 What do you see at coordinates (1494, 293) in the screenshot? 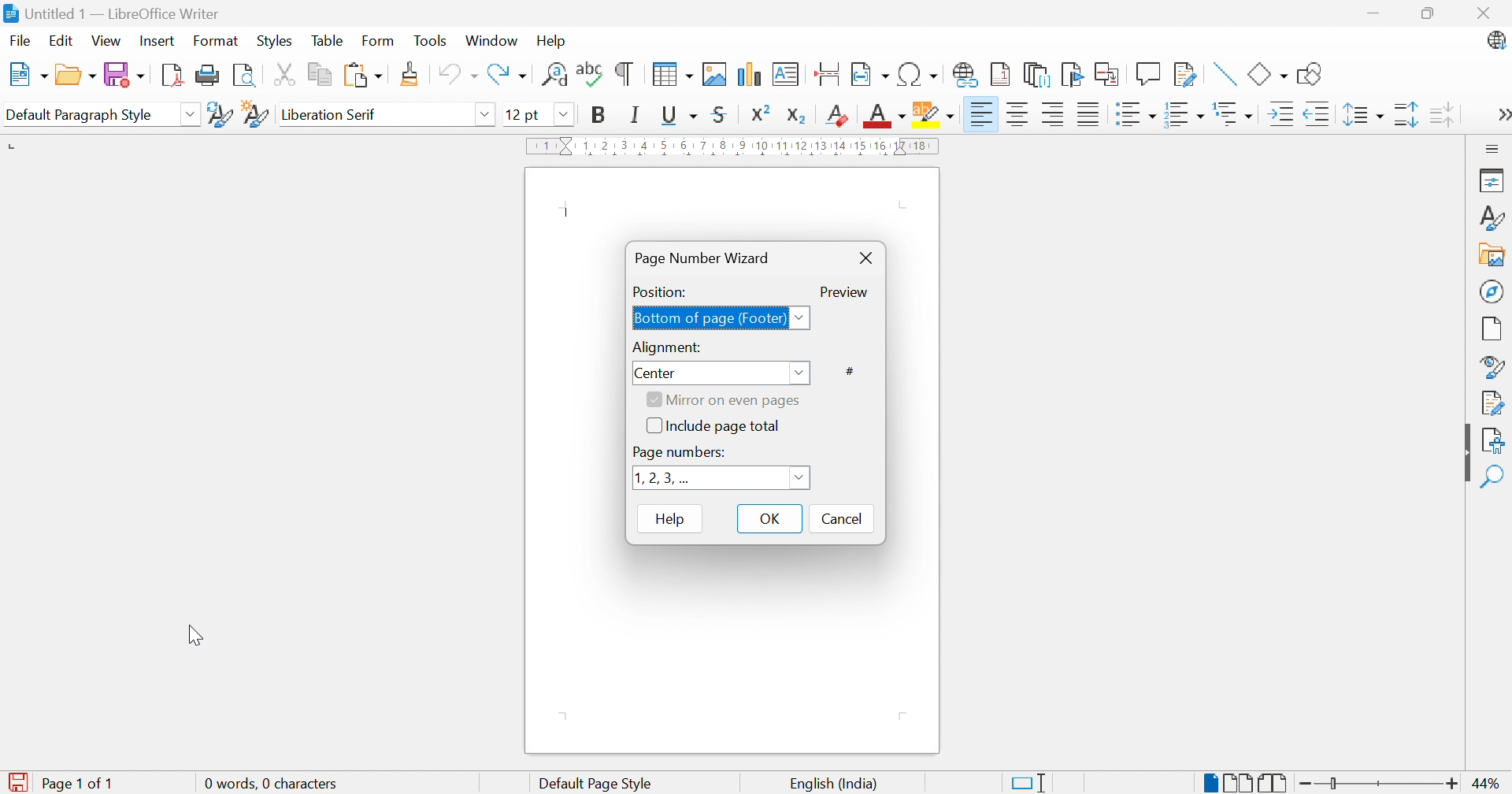
I see `Navigator` at bounding box center [1494, 293].